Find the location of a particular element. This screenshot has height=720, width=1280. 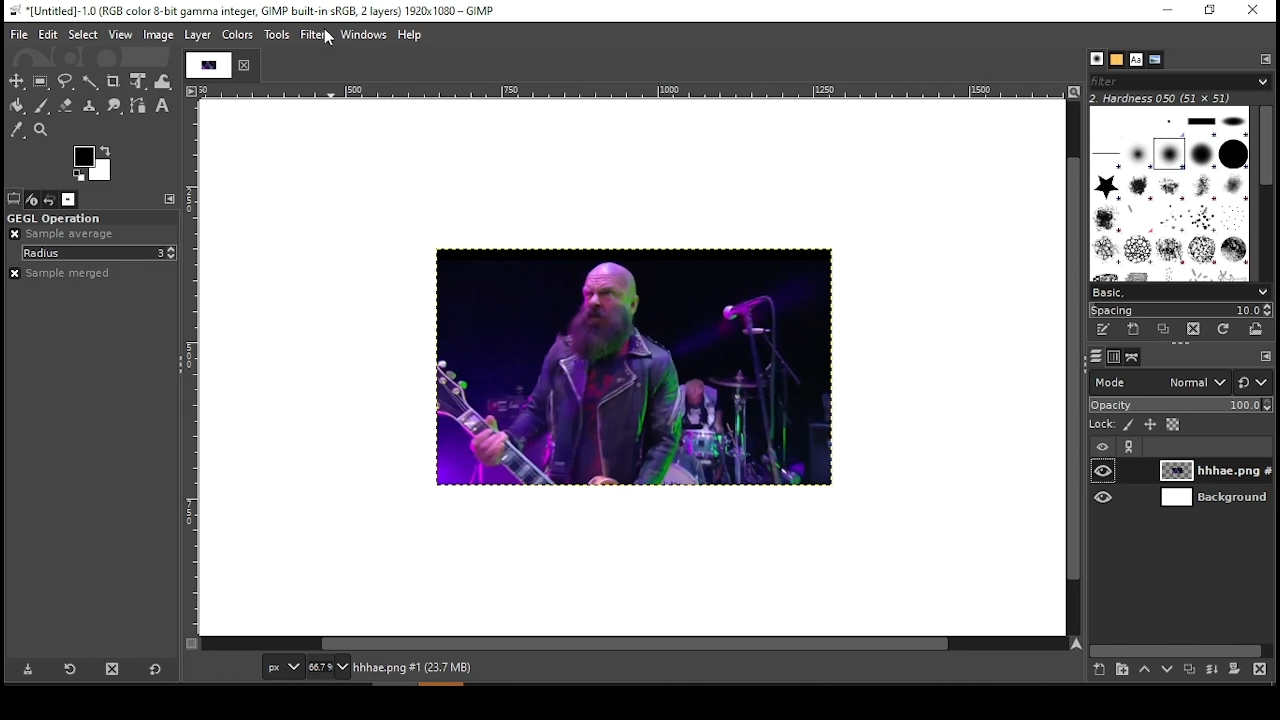

fuzzy selection tool is located at coordinates (91, 80).